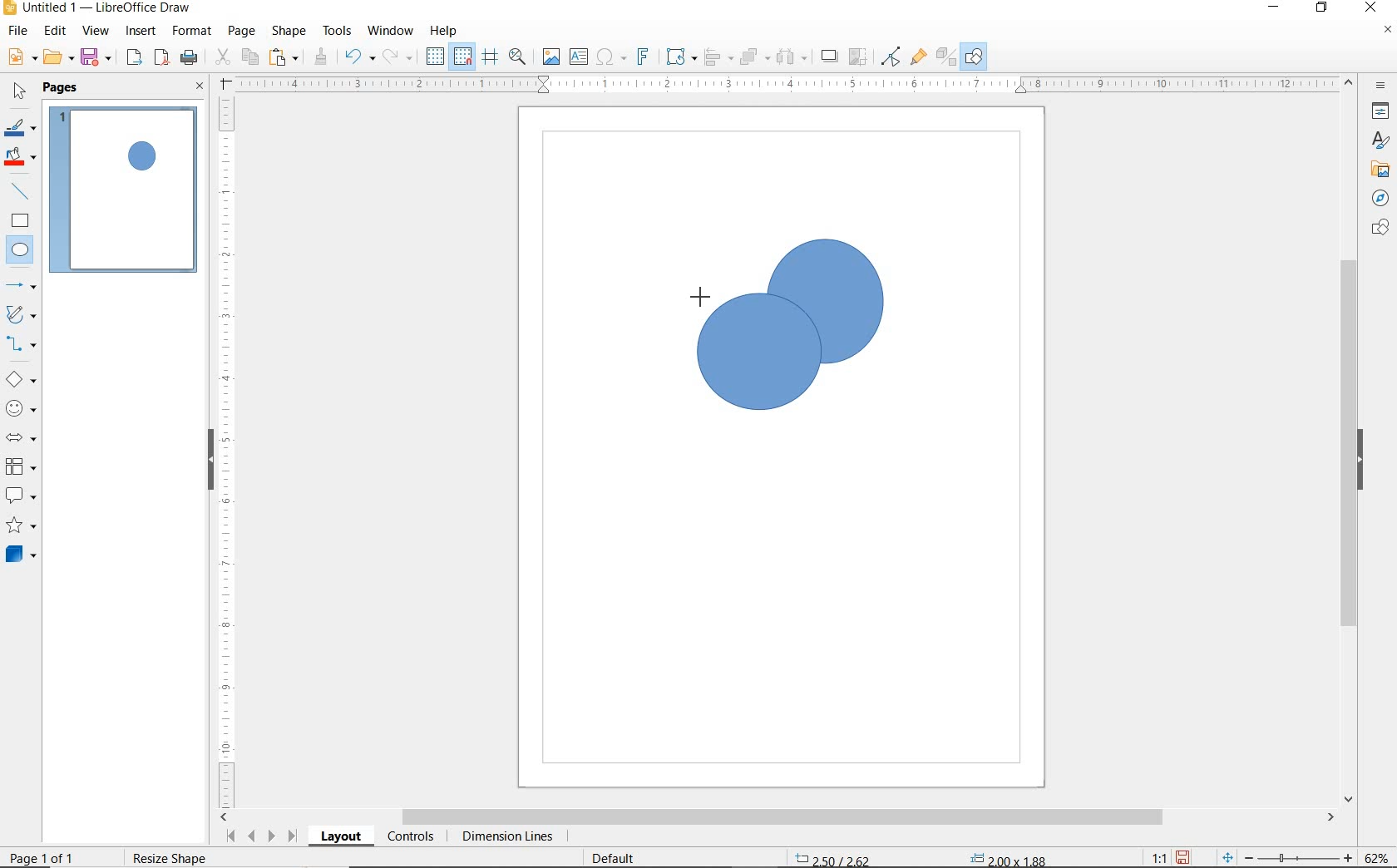 This screenshot has width=1397, height=868. Describe the element at coordinates (190, 57) in the screenshot. I see `PRINT` at that location.